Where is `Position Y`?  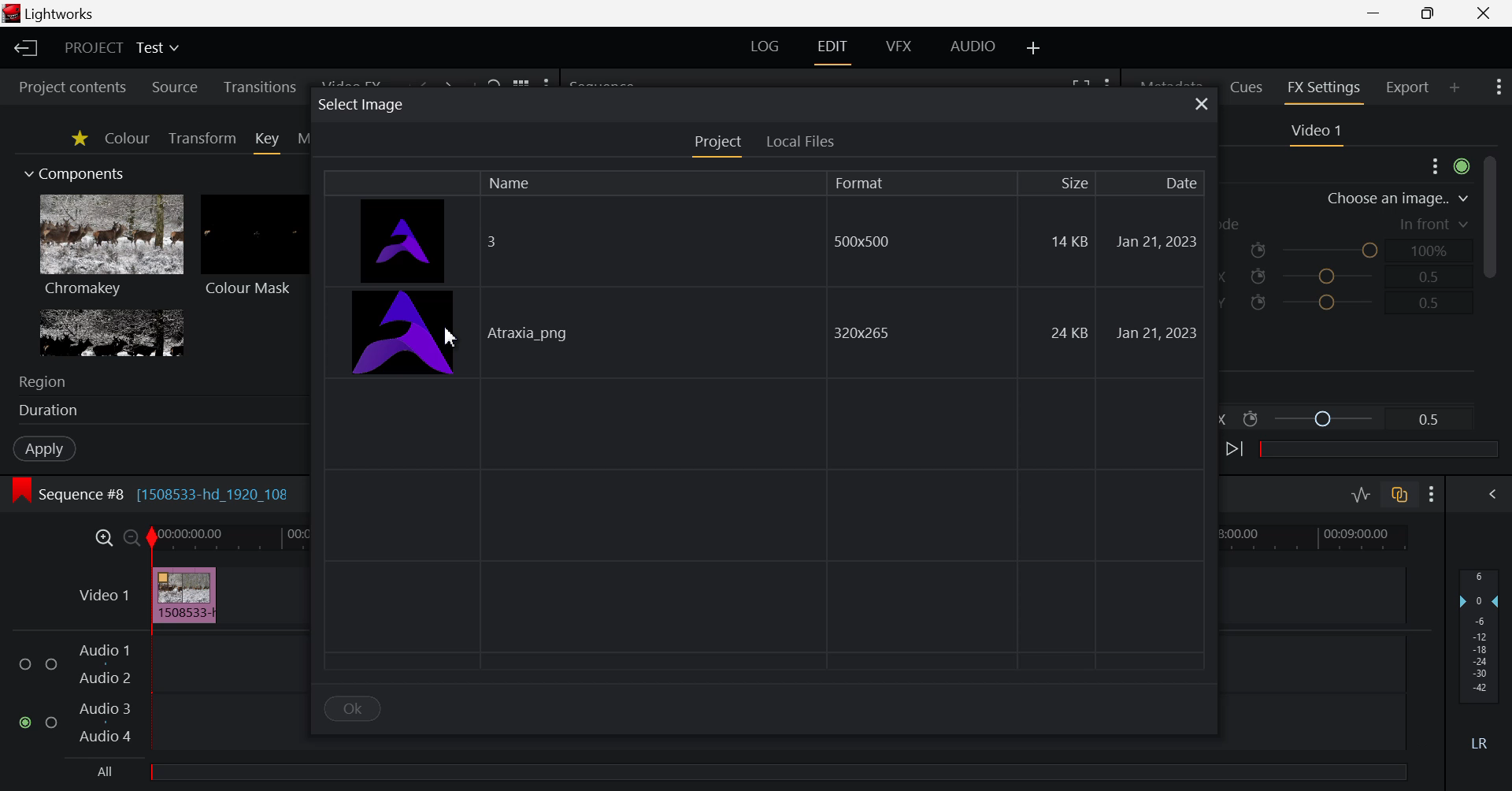 Position Y is located at coordinates (1330, 303).